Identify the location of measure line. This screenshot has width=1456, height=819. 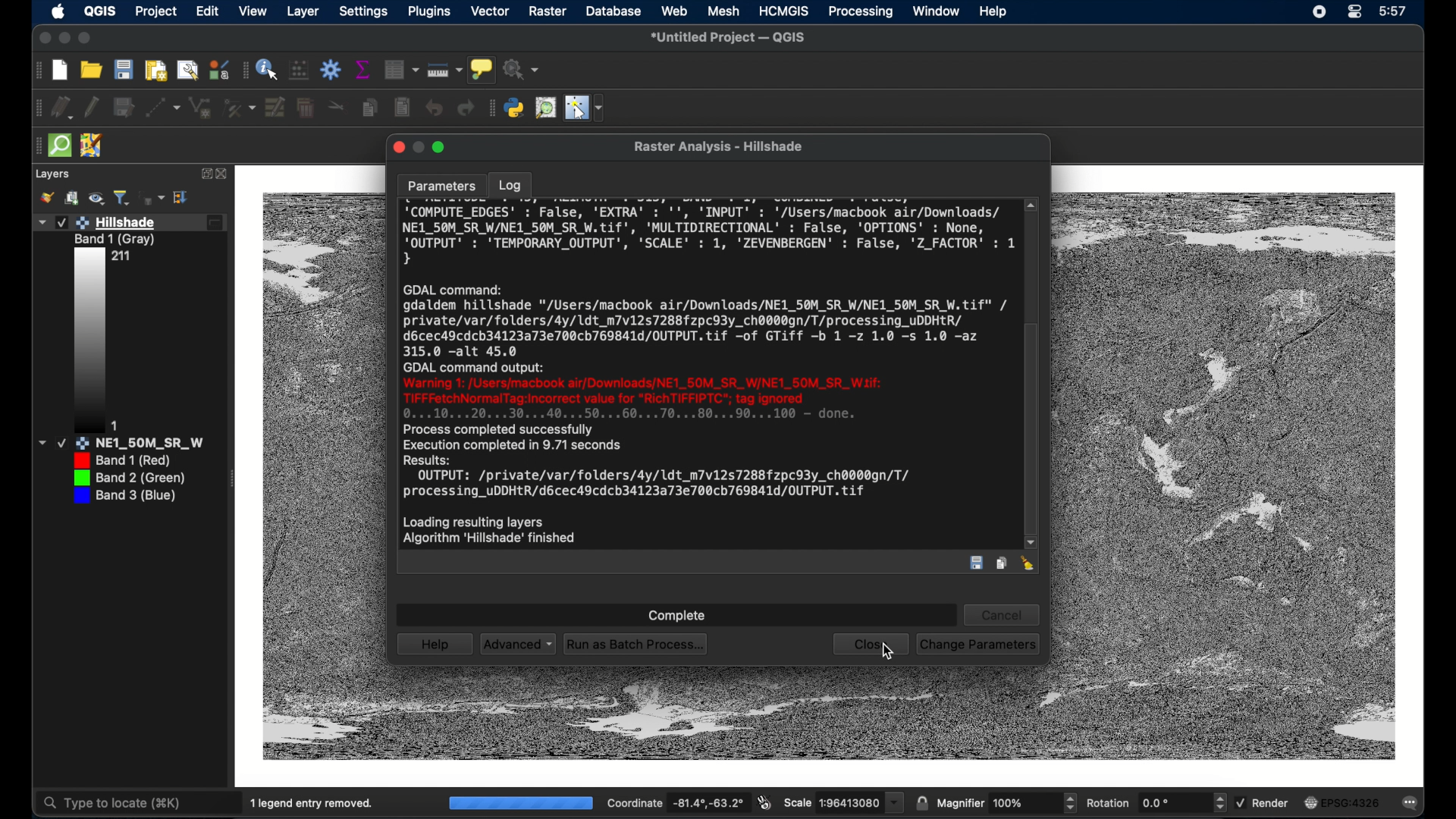
(444, 70).